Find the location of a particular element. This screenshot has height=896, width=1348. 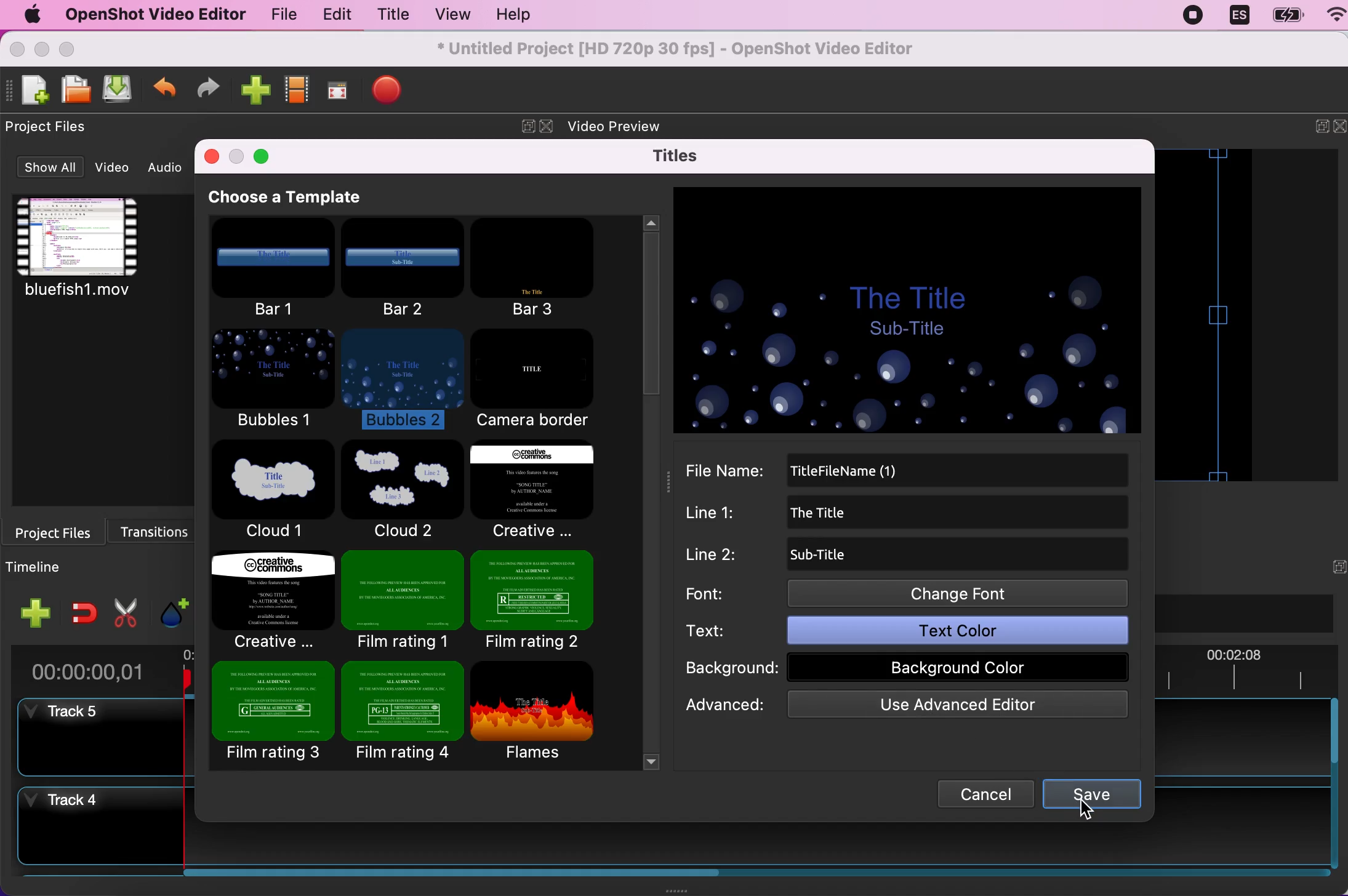

close is located at coordinates (18, 49).